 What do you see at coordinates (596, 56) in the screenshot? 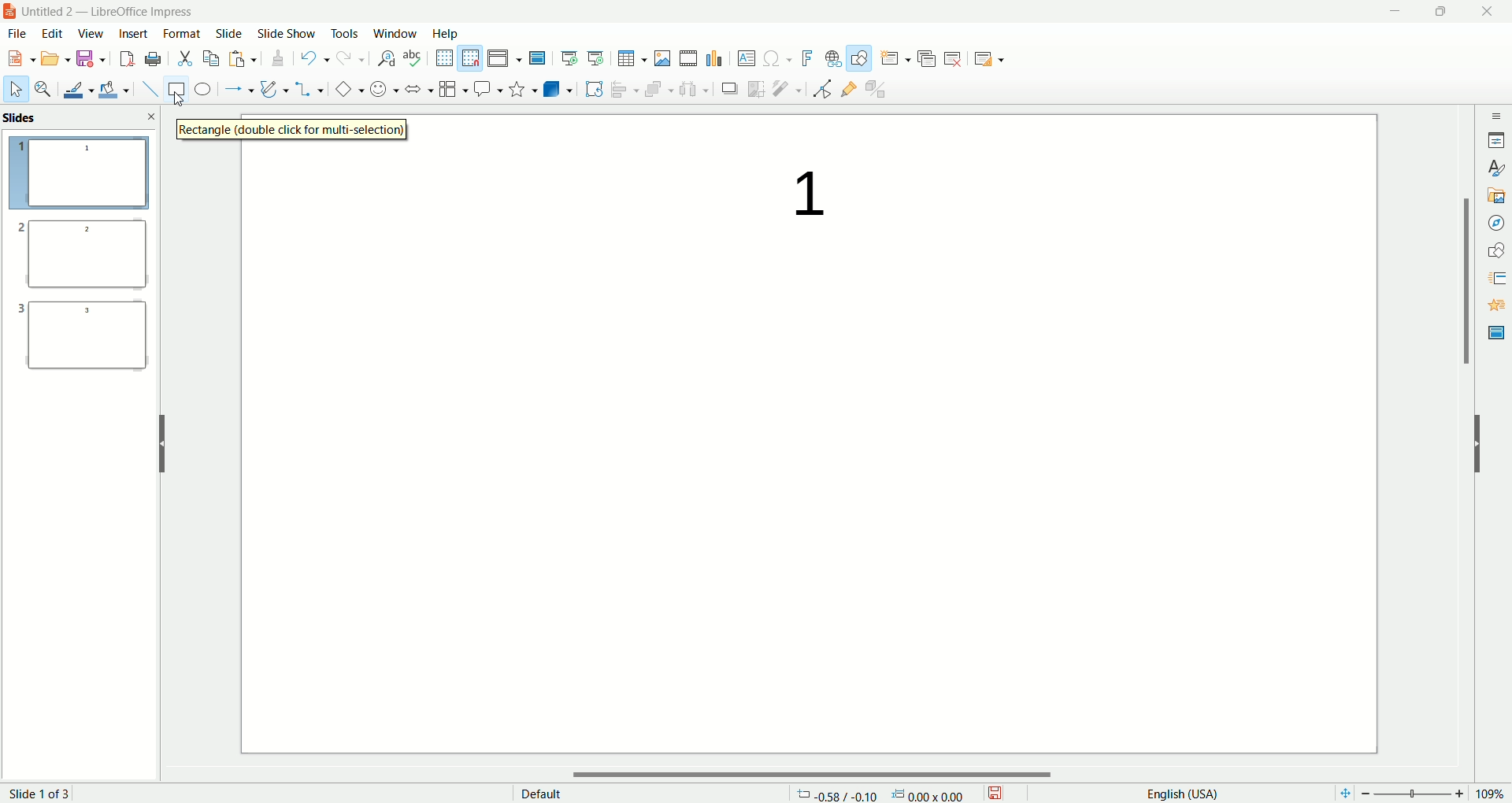
I see `start from current slide` at bounding box center [596, 56].